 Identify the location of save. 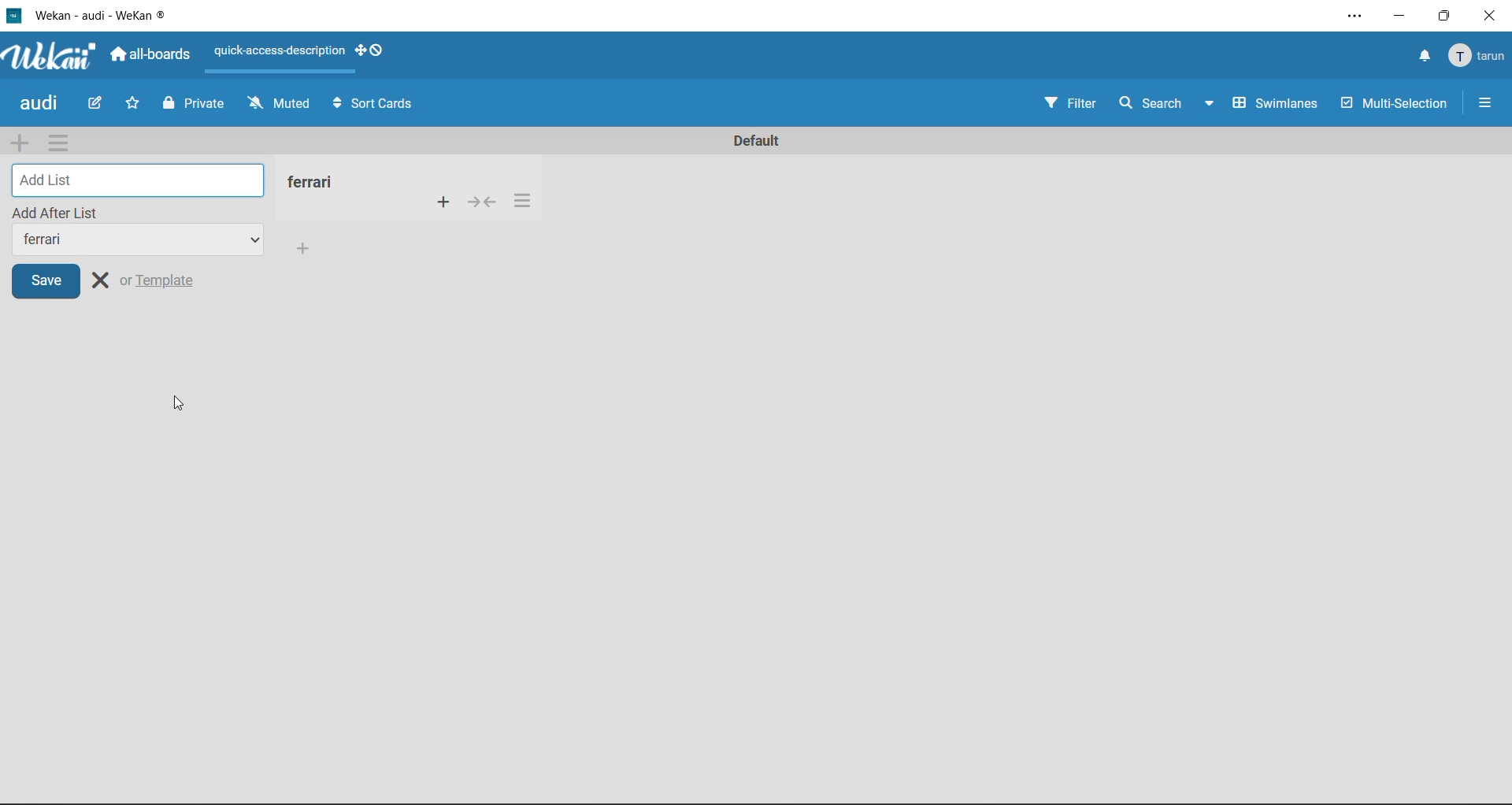
(48, 284).